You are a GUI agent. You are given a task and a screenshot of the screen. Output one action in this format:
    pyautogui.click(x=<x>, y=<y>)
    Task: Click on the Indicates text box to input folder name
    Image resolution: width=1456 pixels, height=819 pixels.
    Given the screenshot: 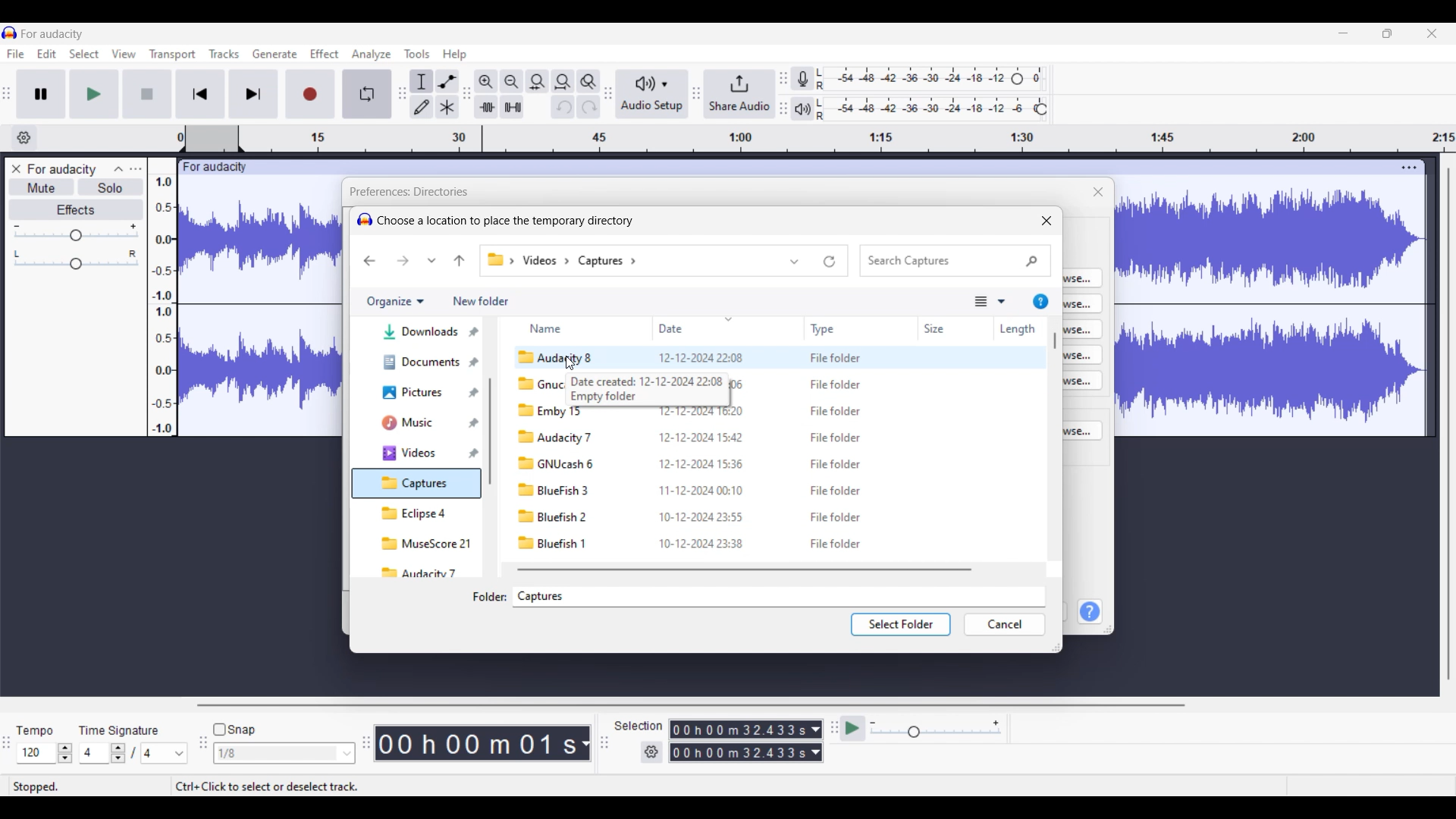 What is the action you would take?
    pyautogui.click(x=489, y=596)
    